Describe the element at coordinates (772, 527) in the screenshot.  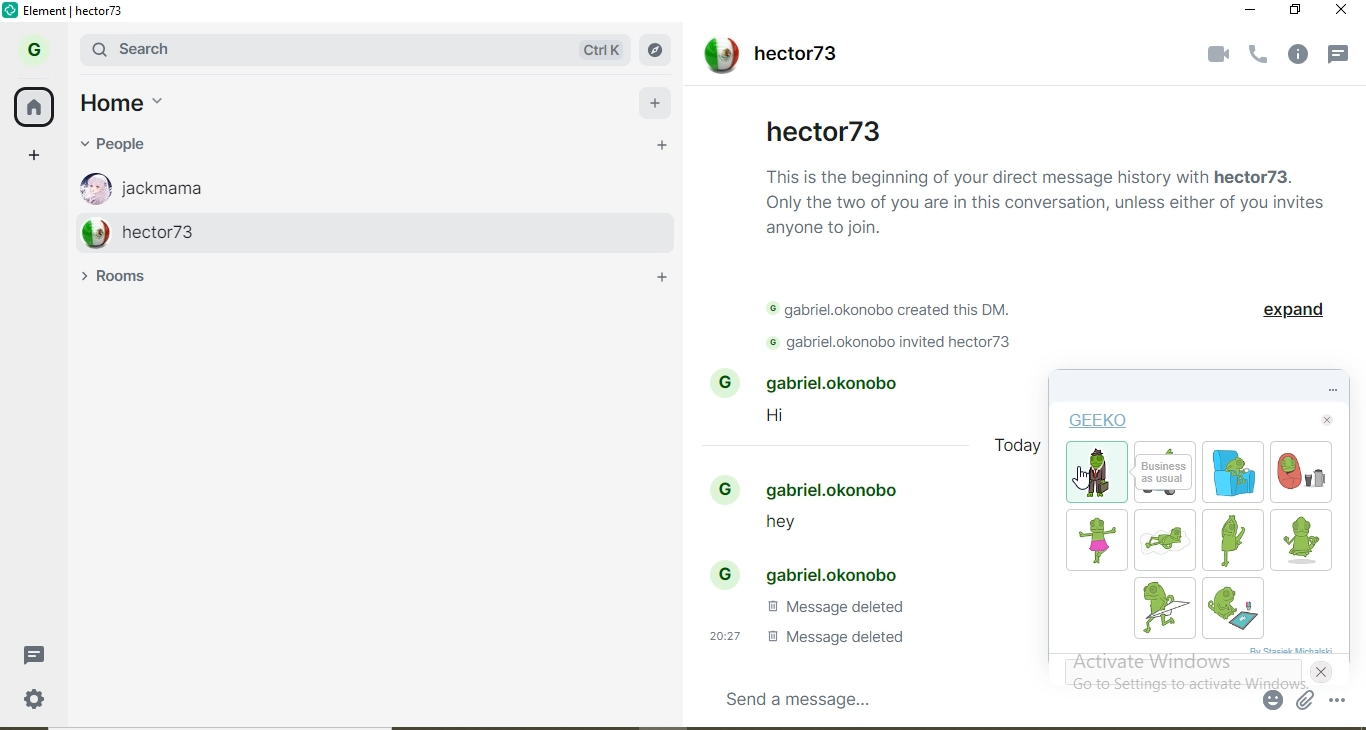
I see `hey` at that location.